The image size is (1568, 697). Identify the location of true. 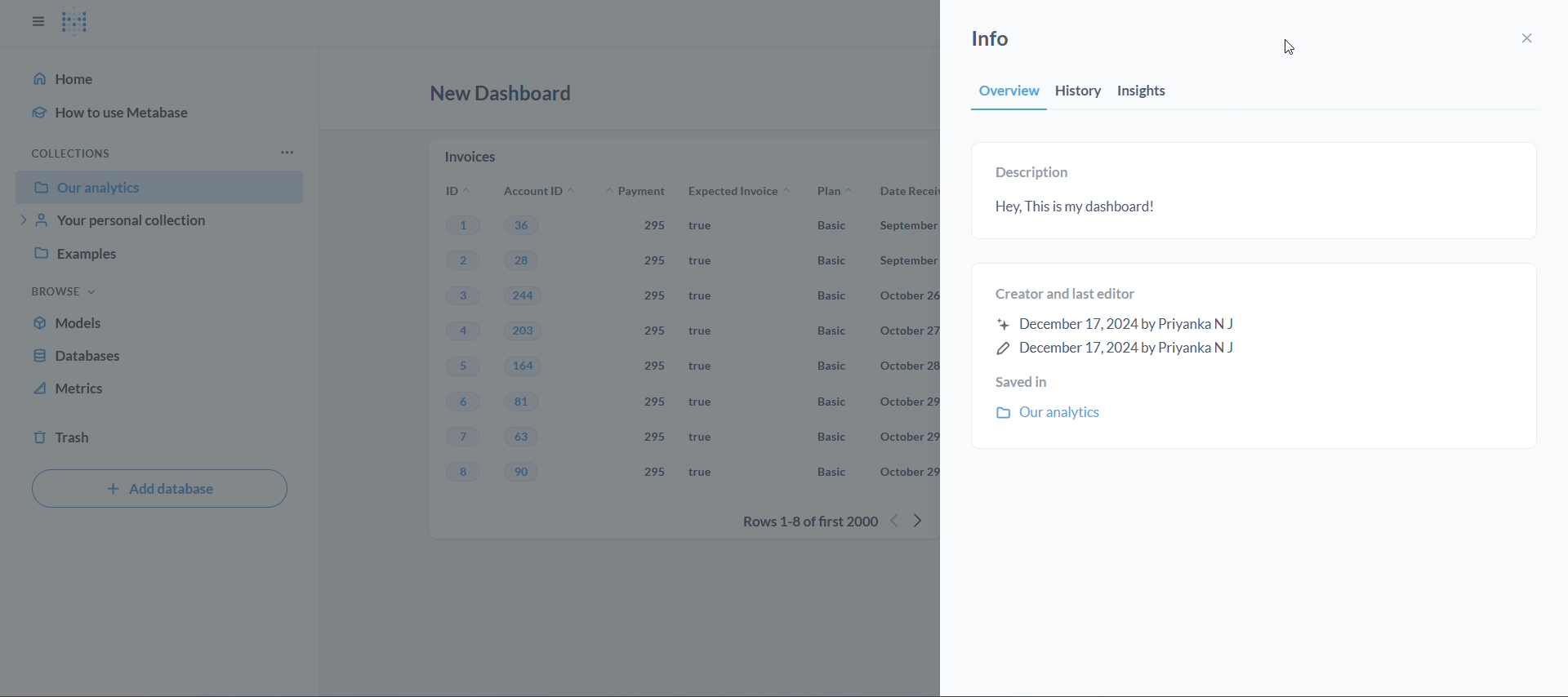
(708, 228).